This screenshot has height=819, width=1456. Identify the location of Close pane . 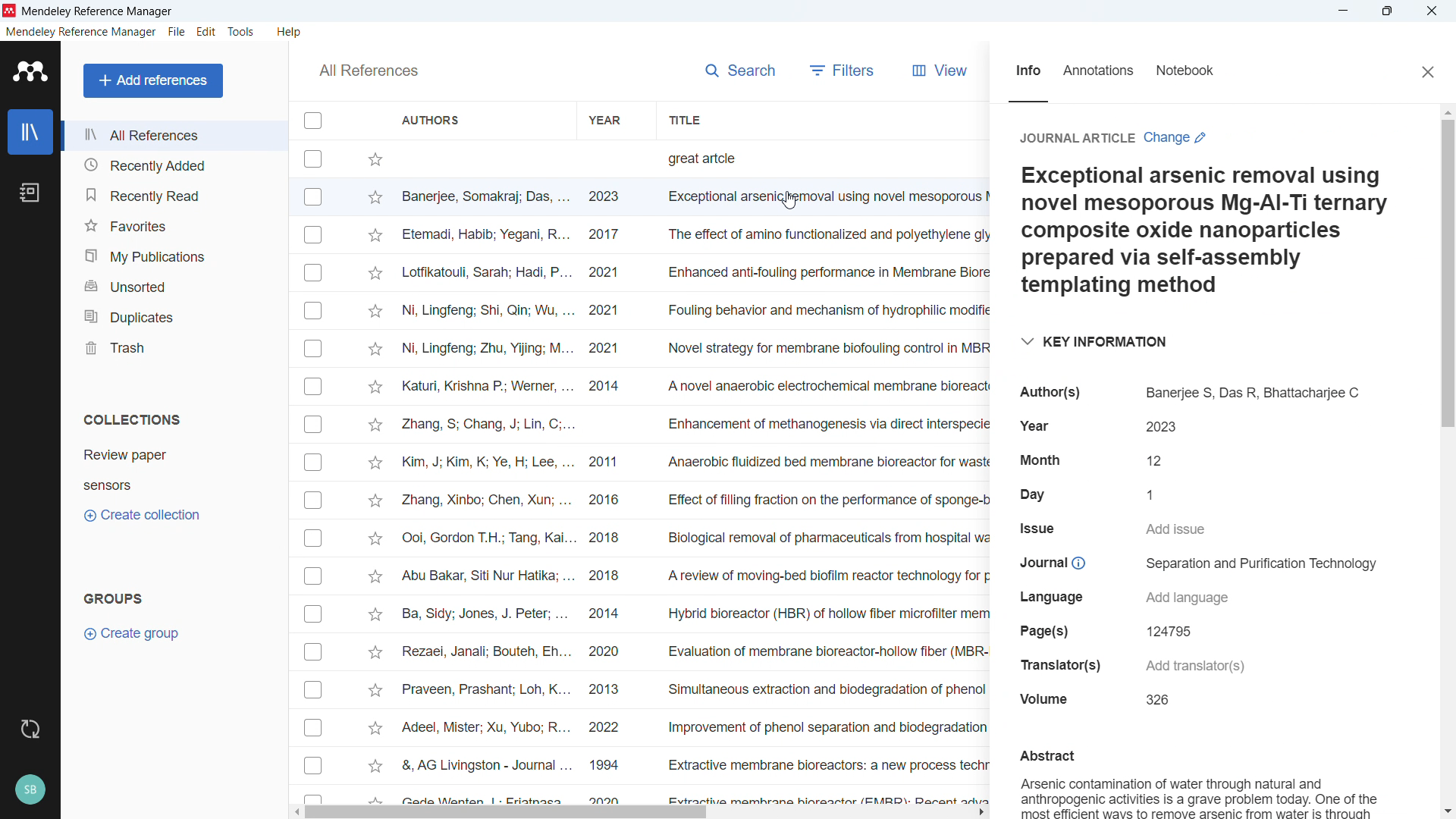
(1427, 73).